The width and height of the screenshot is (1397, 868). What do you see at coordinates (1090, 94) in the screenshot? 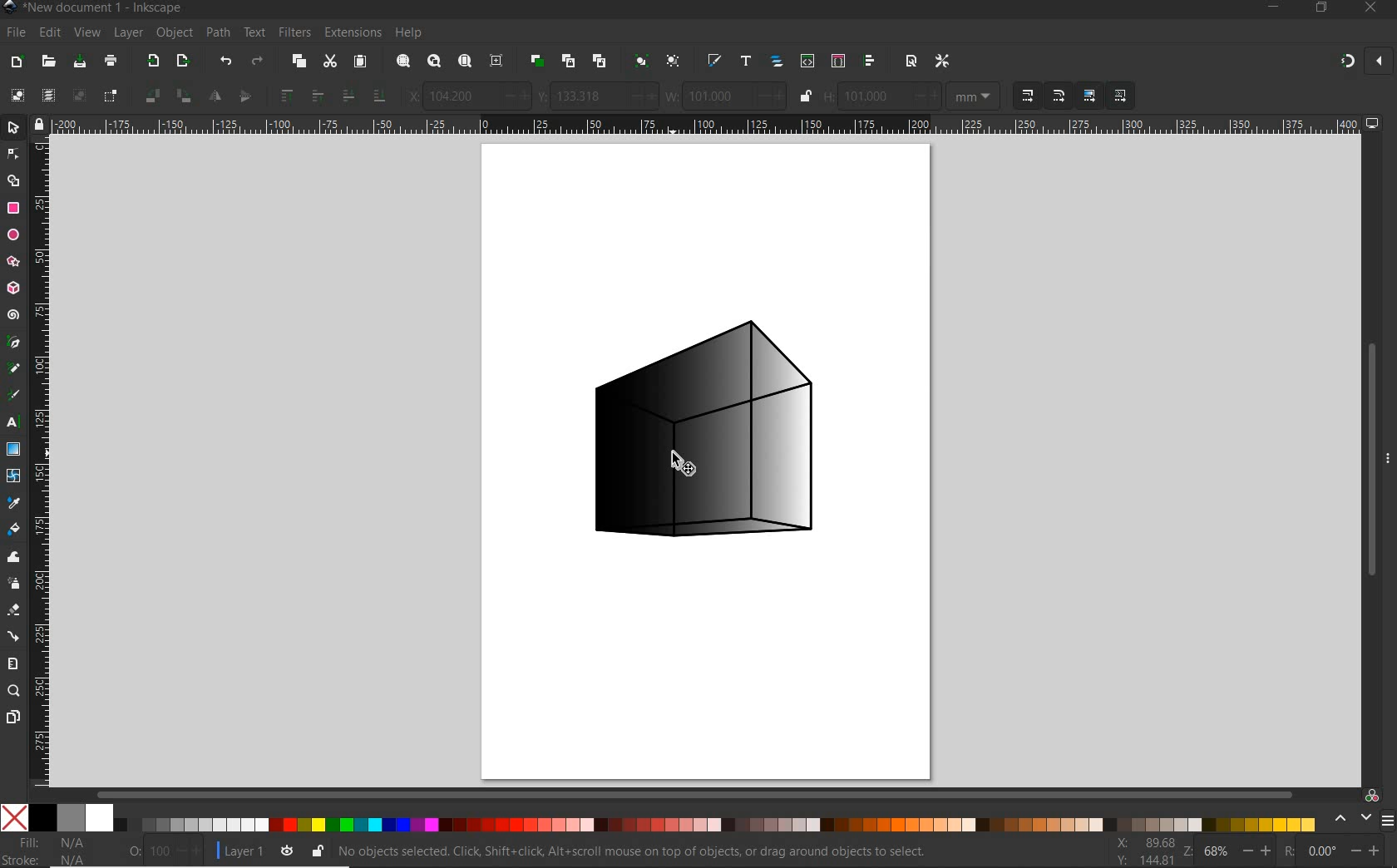
I see `MOVE GRADIENTS` at bounding box center [1090, 94].